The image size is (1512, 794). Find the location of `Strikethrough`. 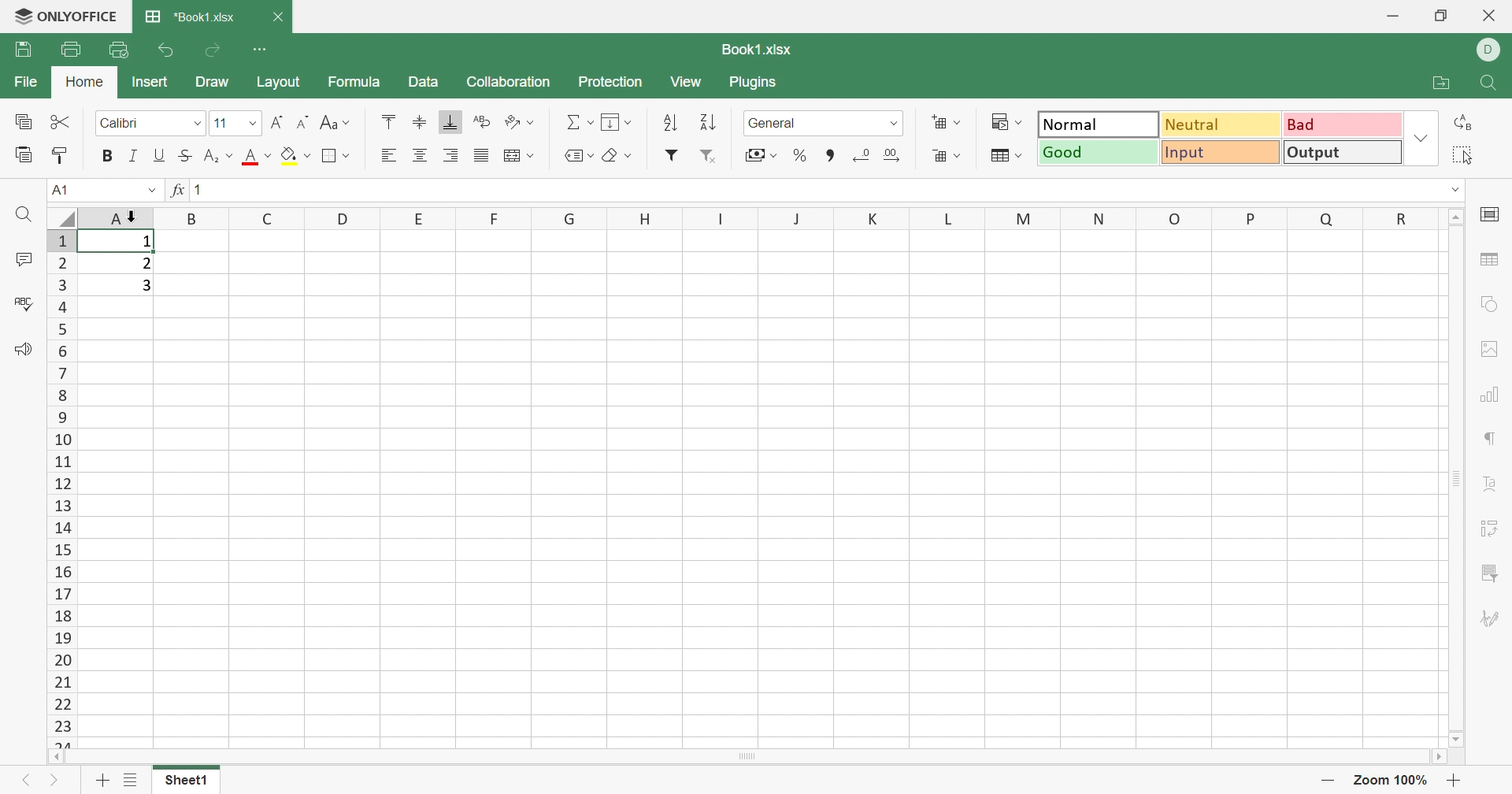

Strikethrough is located at coordinates (183, 156).